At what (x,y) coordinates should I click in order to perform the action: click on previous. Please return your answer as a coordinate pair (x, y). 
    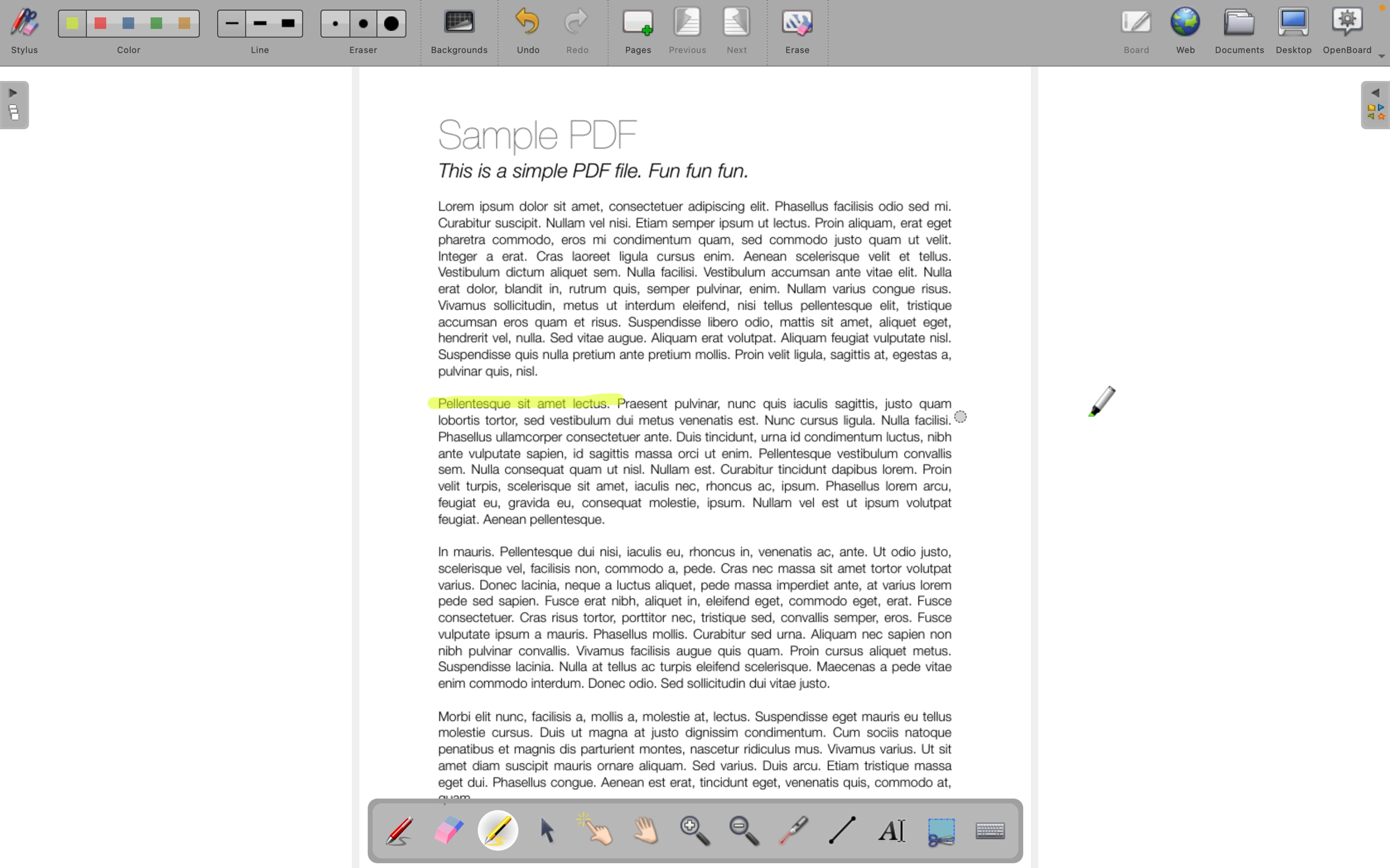
    Looking at the image, I should click on (685, 32).